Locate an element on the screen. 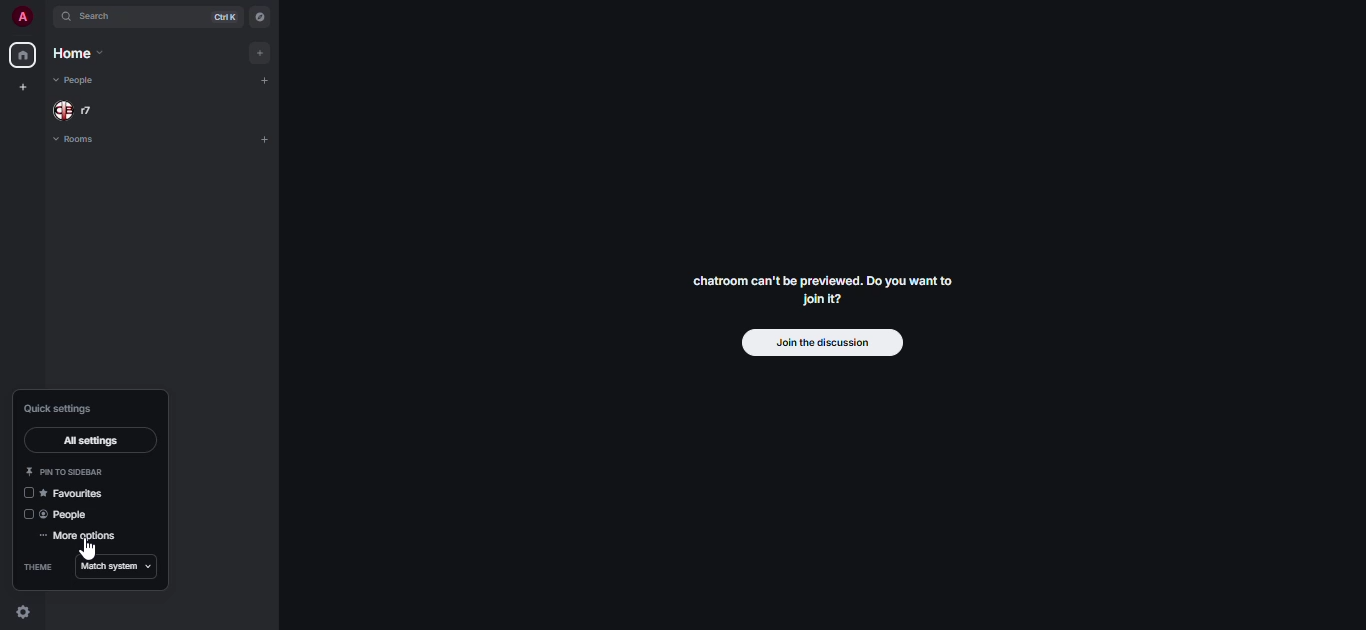  ctrl K is located at coordinates (225, 14).